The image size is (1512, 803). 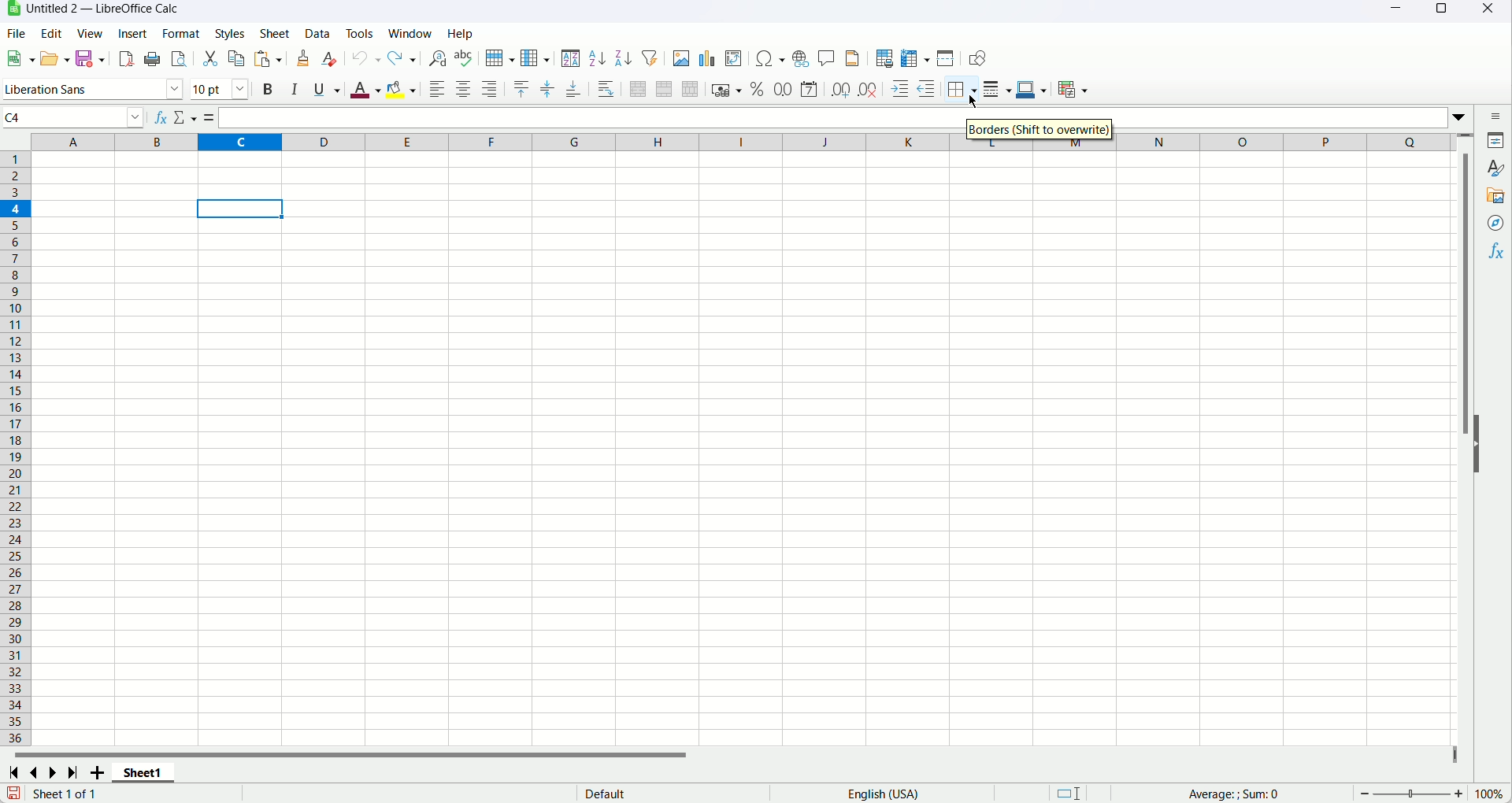 I want to click on Sheet name, so click(x=143, y=773).